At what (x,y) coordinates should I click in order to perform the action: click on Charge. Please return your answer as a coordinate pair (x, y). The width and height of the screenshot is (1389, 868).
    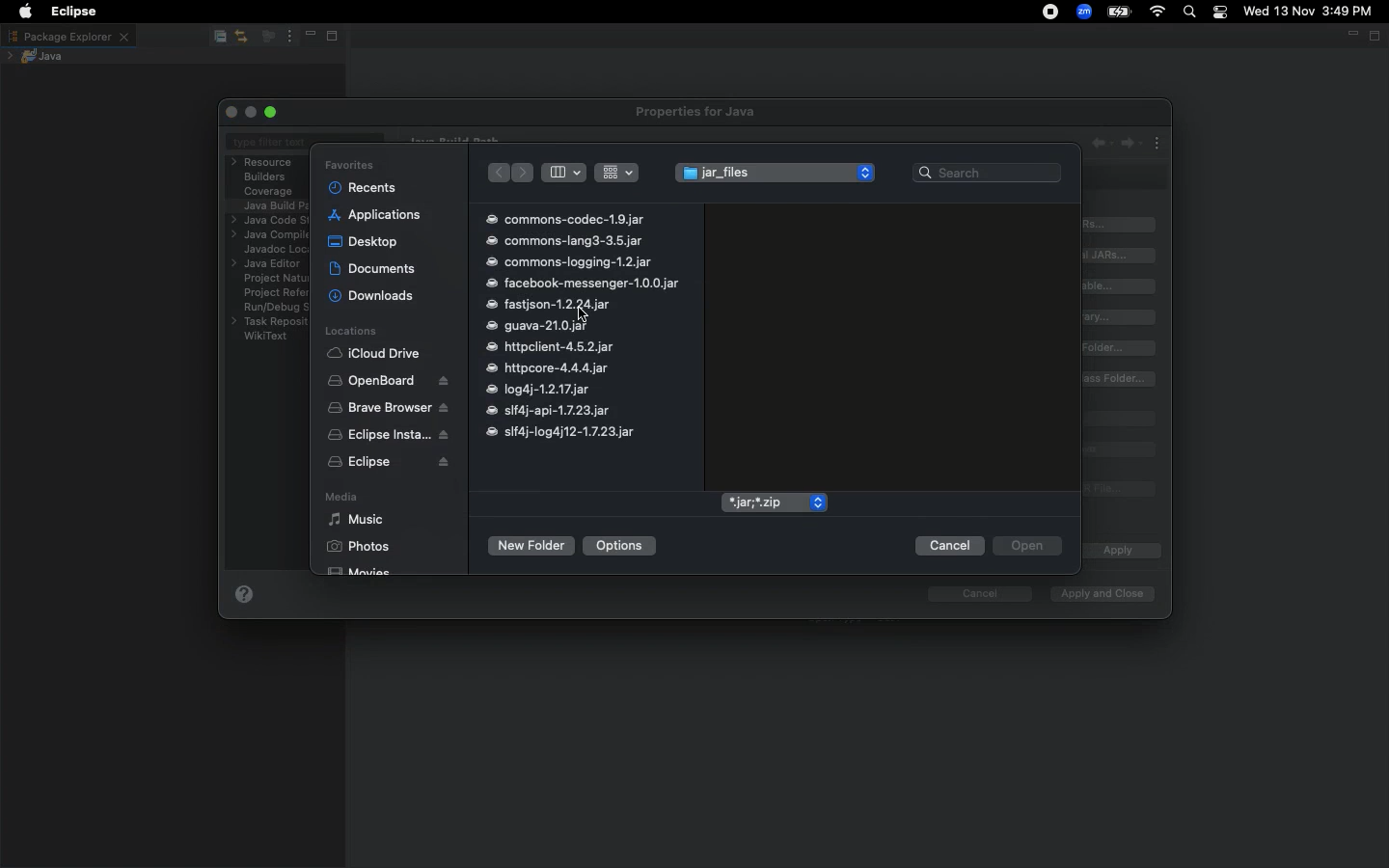
    Looking at the image, I should click on (1119, 12).